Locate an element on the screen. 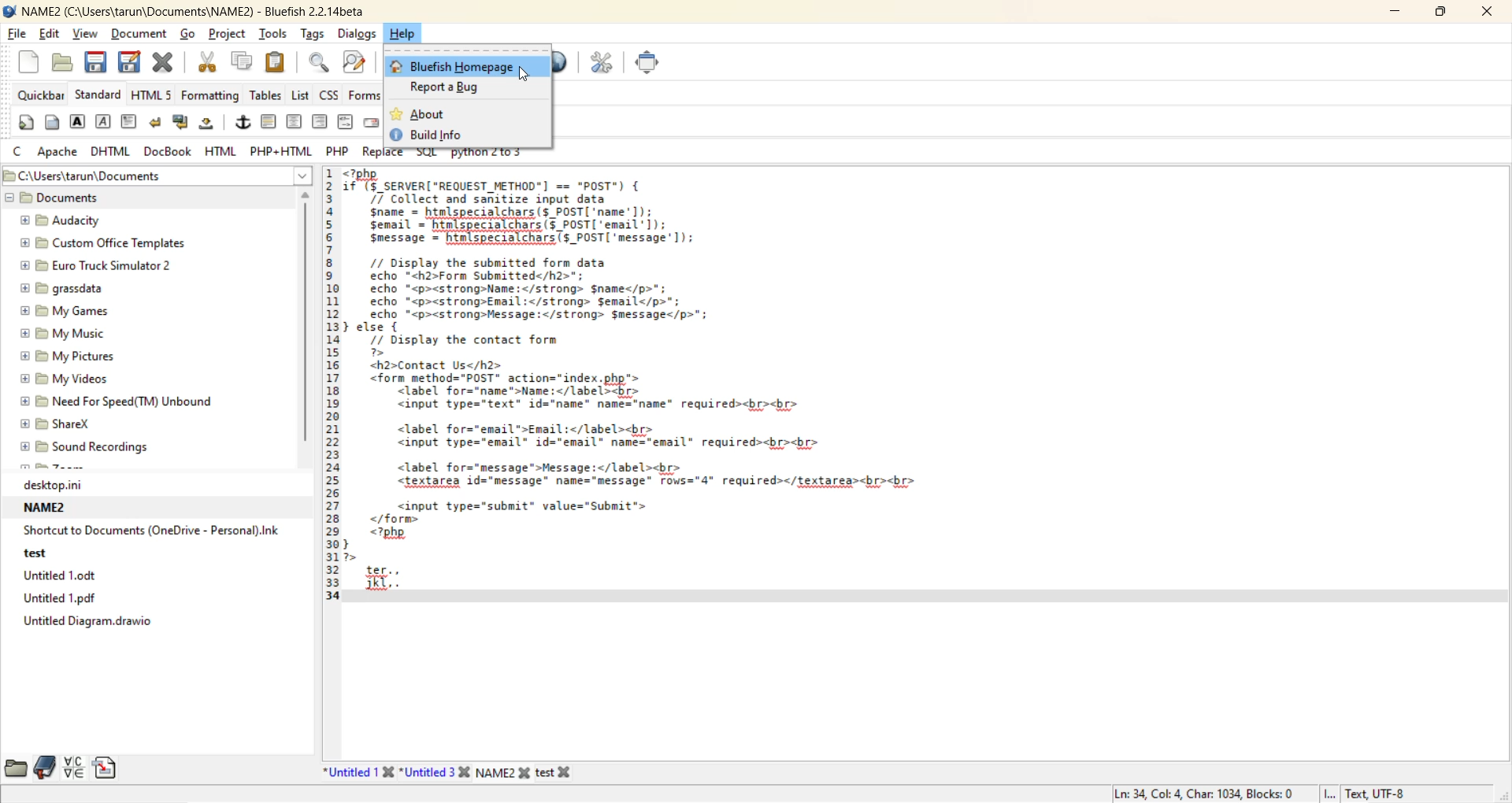  strong is located at coordinates (78, 124).